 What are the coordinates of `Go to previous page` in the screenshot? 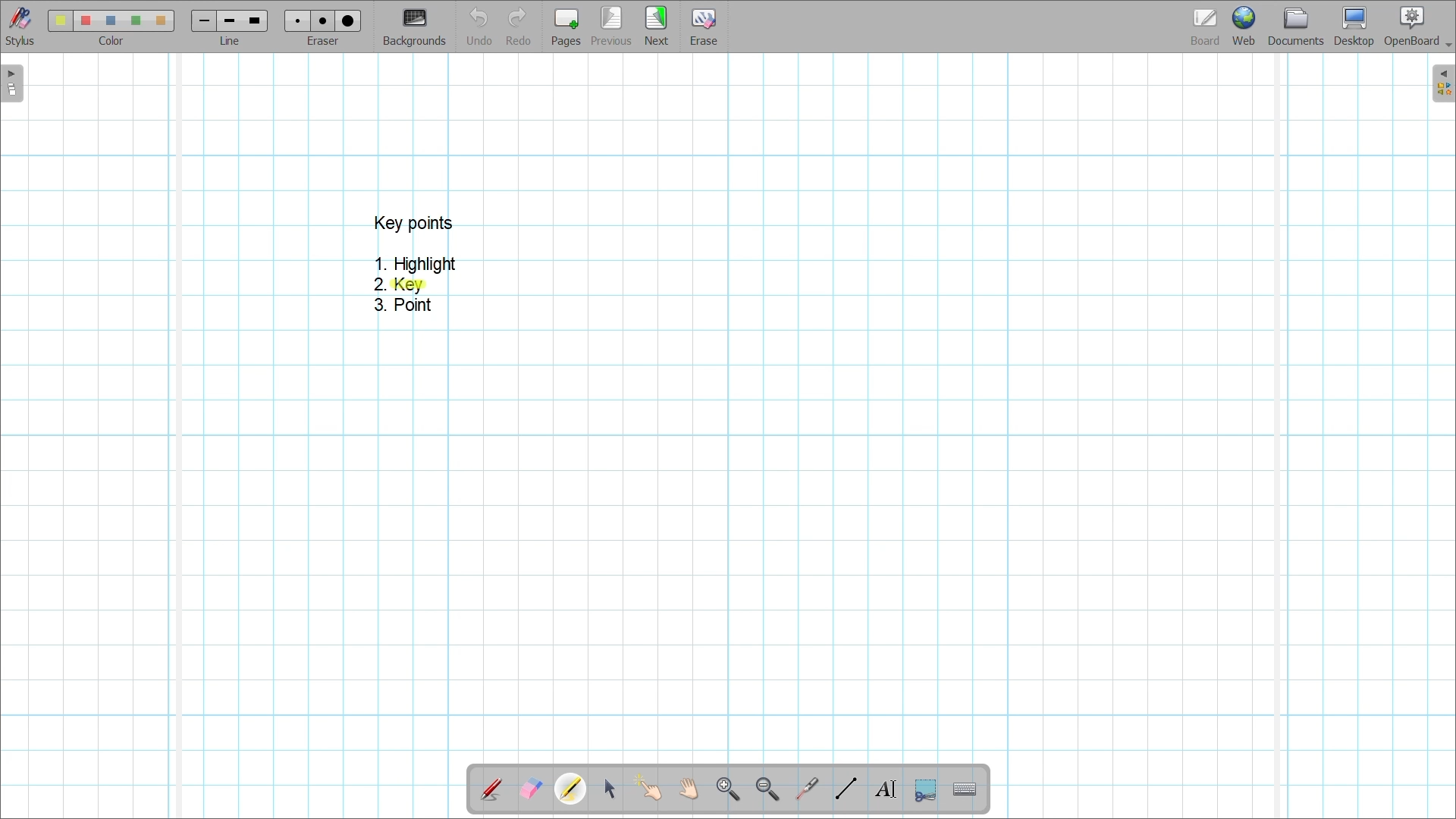 It's located at (613, 26).